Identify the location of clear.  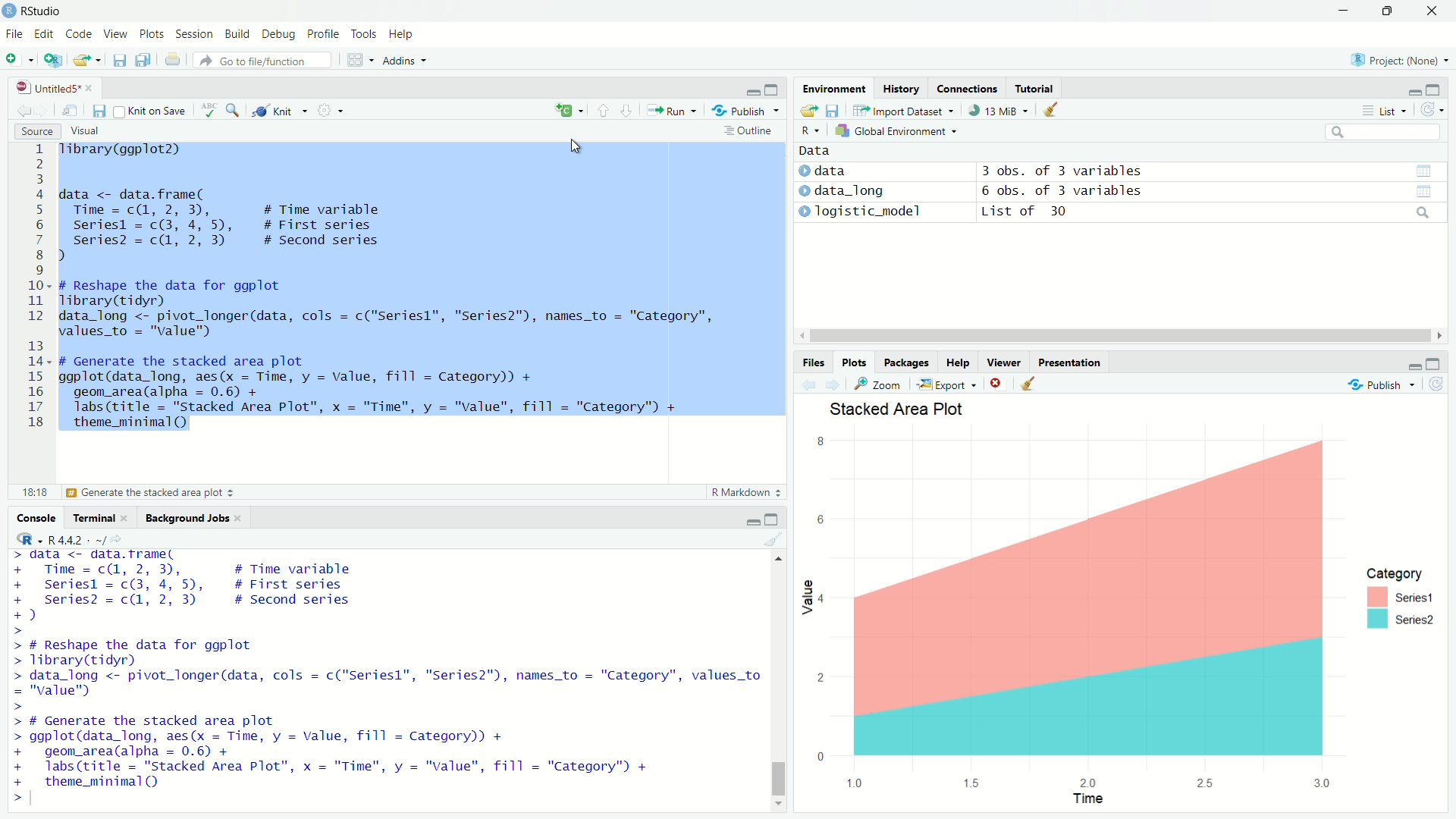
(1031, 384).